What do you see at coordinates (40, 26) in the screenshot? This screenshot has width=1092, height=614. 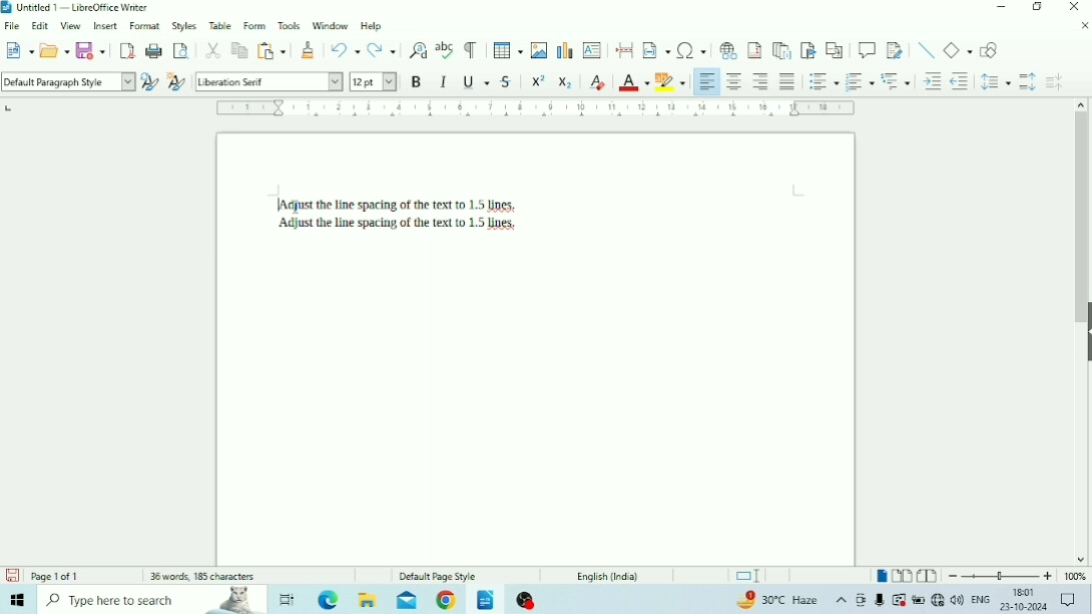 I see `Edit` at bounding box center [40, 26].